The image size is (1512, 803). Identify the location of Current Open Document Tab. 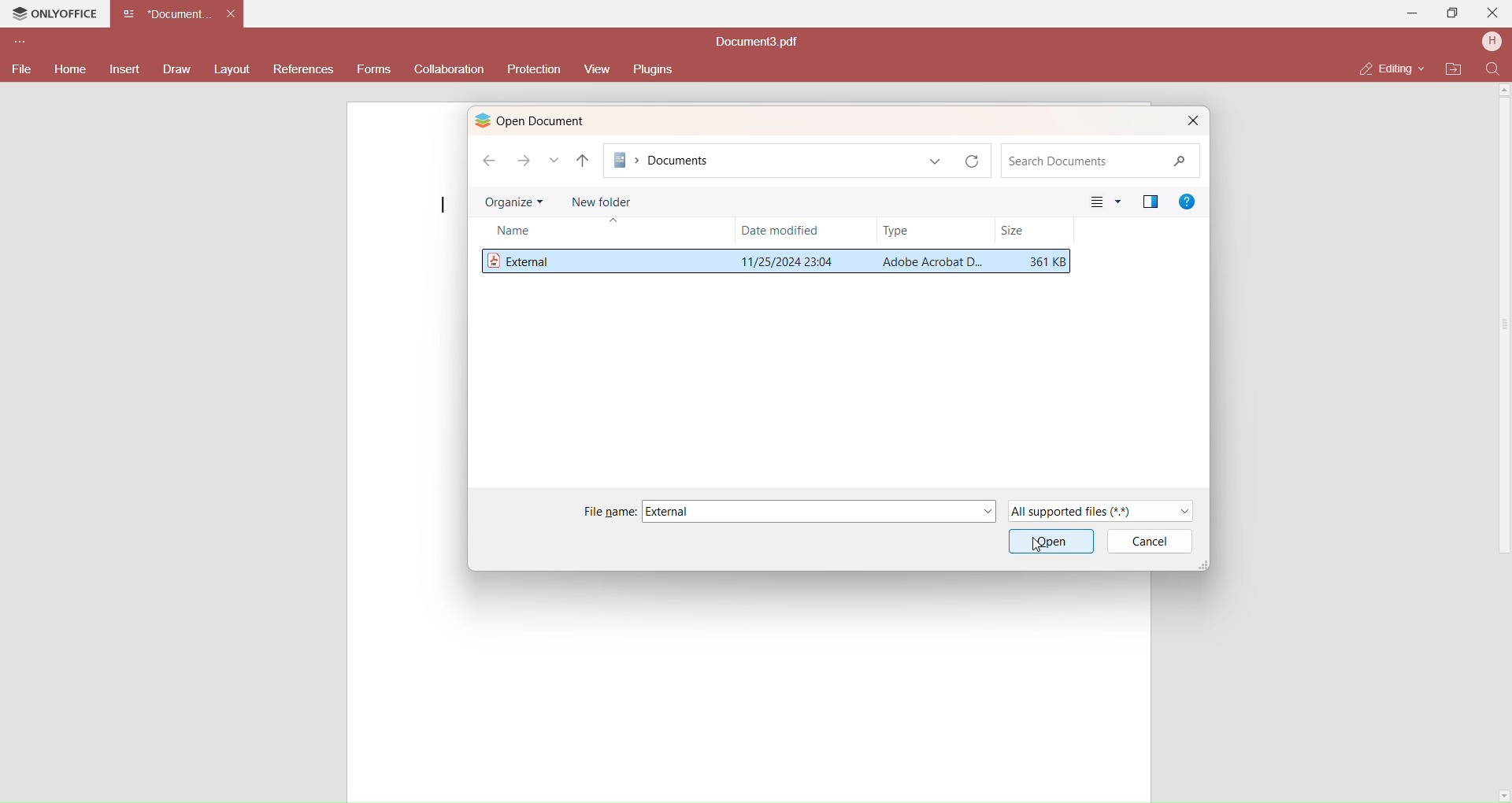
(167, 13).